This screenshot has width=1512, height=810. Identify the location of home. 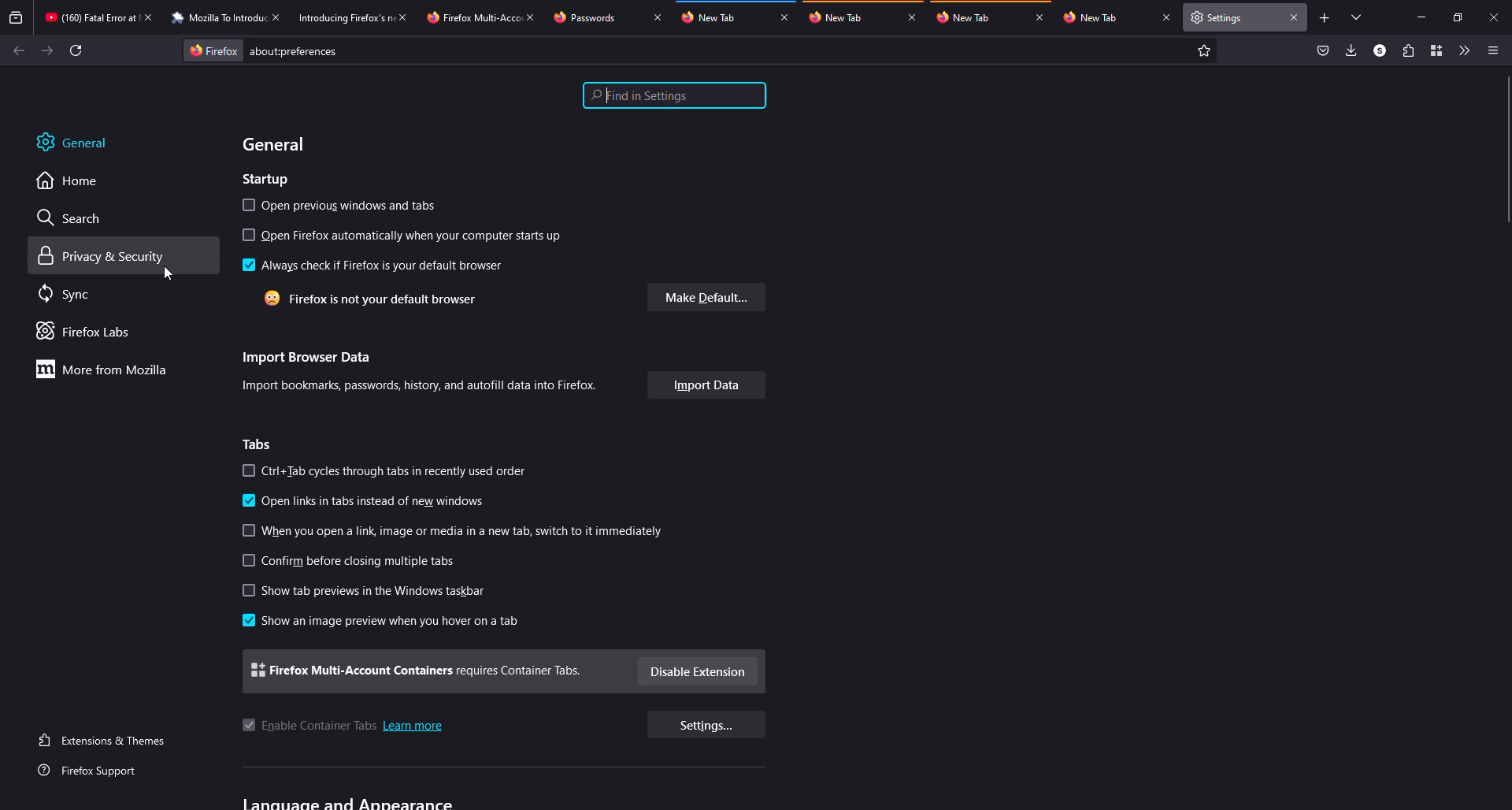
(69, 182).